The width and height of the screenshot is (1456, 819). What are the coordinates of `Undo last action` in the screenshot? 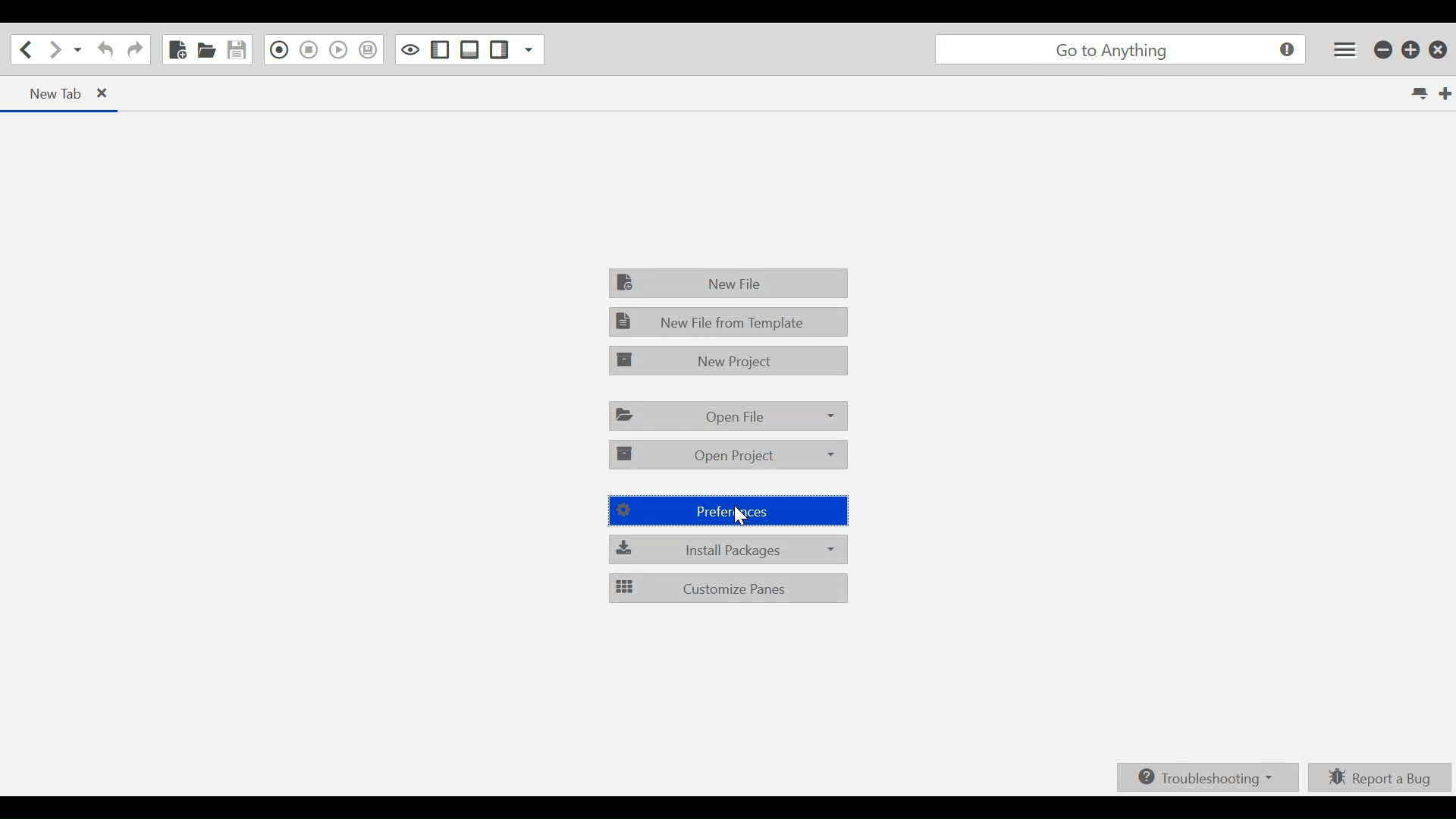 It's located at (106, 50).